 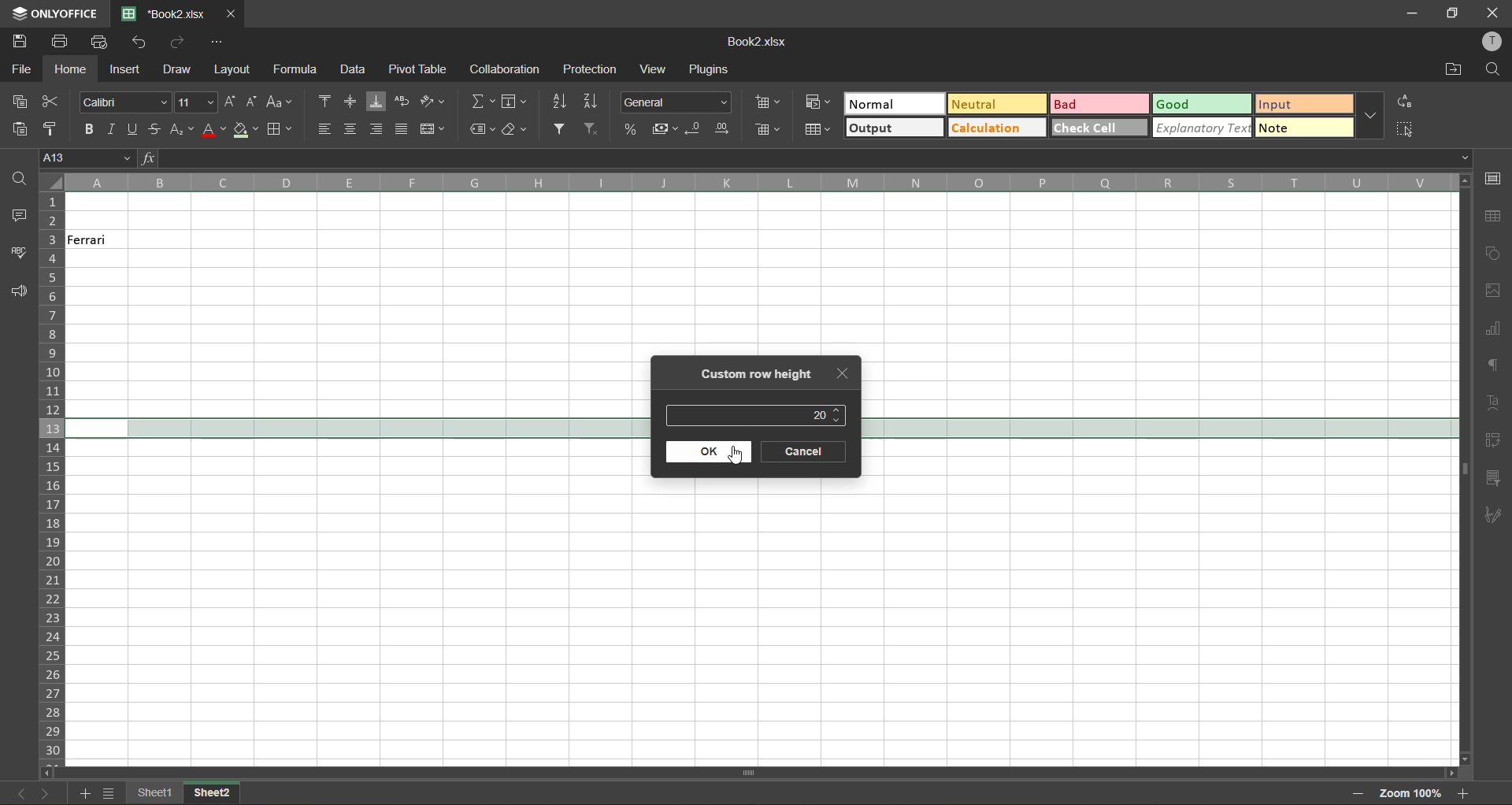 What do you see at coordinates (354, 129) in the screenshot?
I see `align center` at bounding box center [354, 129].